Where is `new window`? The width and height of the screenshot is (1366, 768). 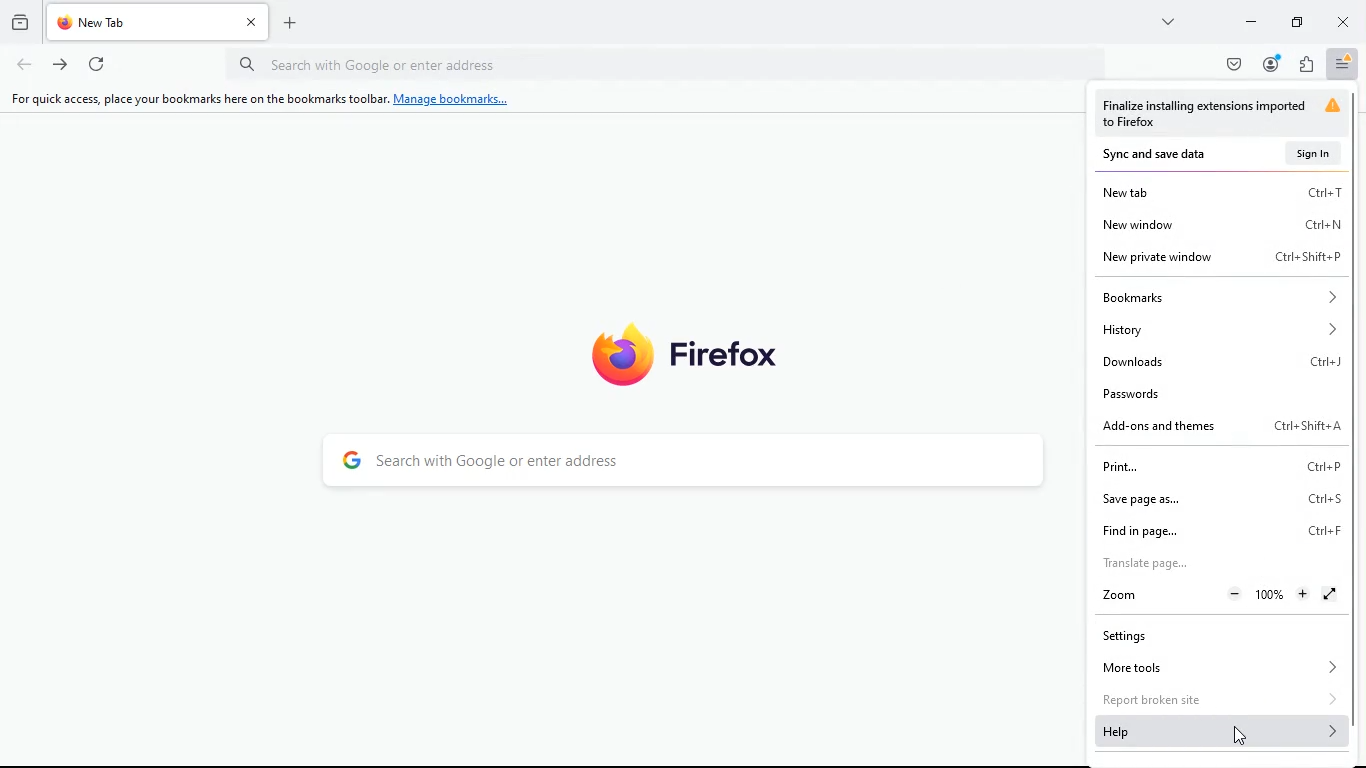 new window is located at coordinates (1229, 226).